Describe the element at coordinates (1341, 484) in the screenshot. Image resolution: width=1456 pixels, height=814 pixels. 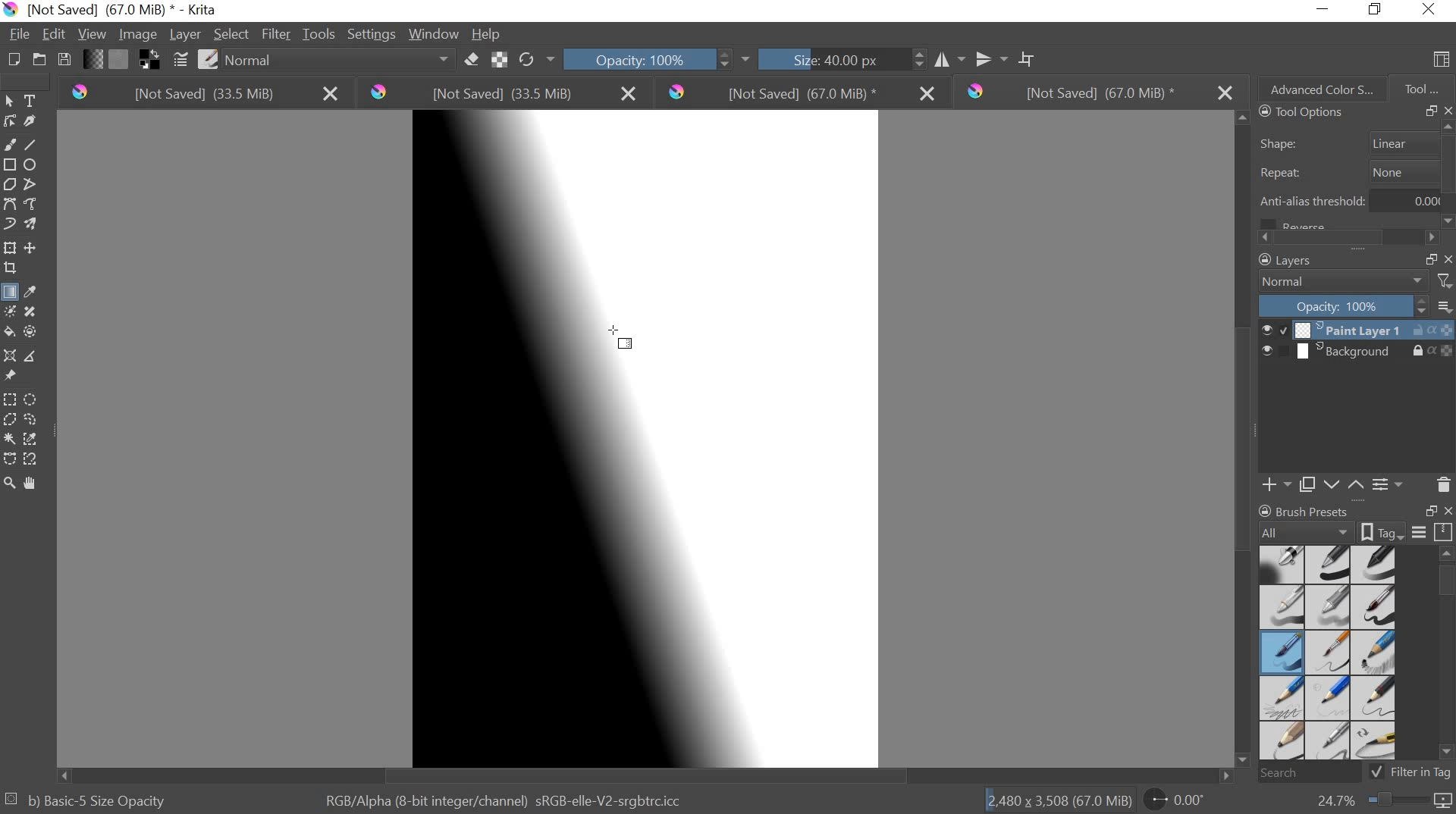
I see `MOVE LAYER UP OR DOWN` at that location.